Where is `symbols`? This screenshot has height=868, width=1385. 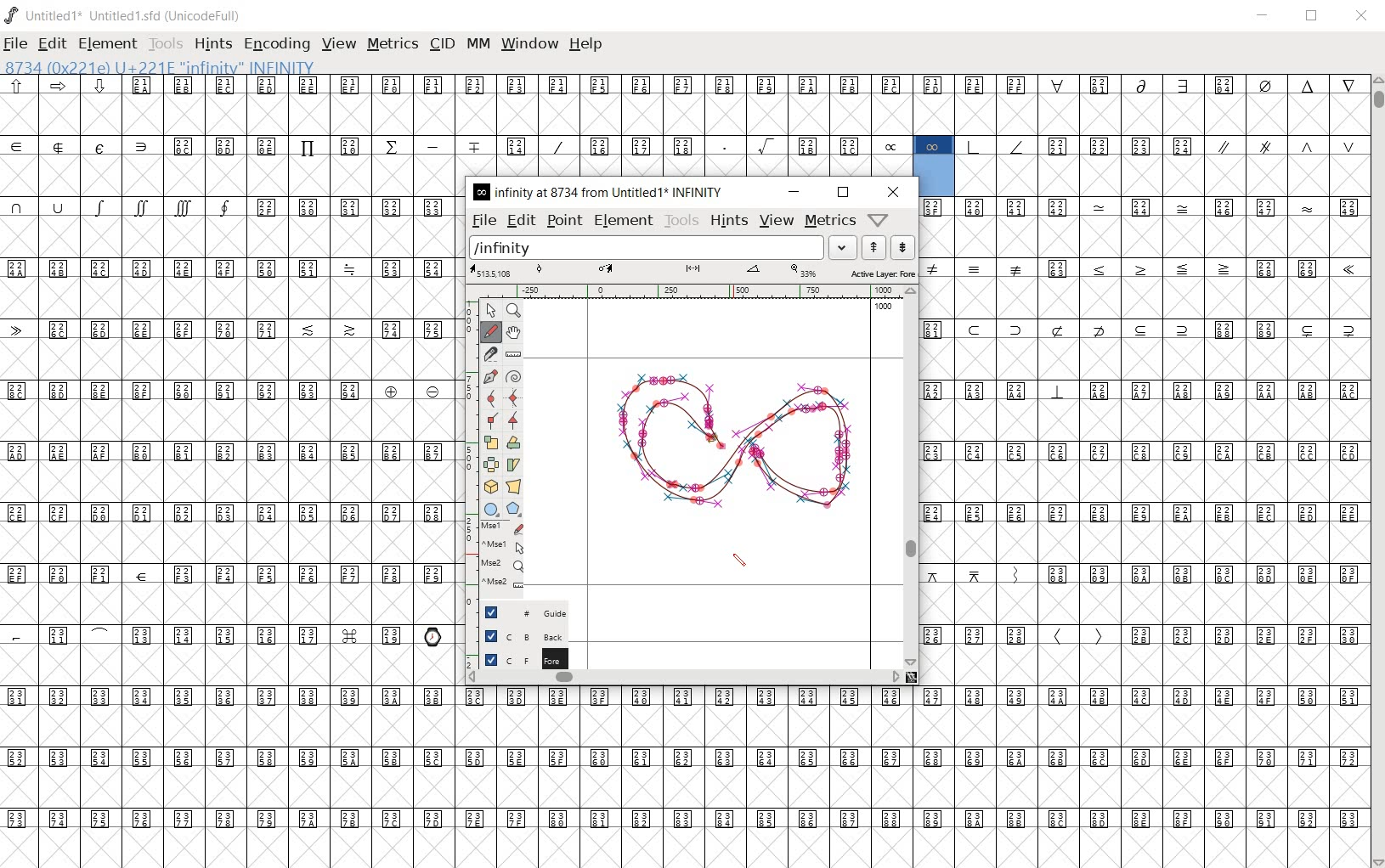
symbols is located at coordinates (124, 206).